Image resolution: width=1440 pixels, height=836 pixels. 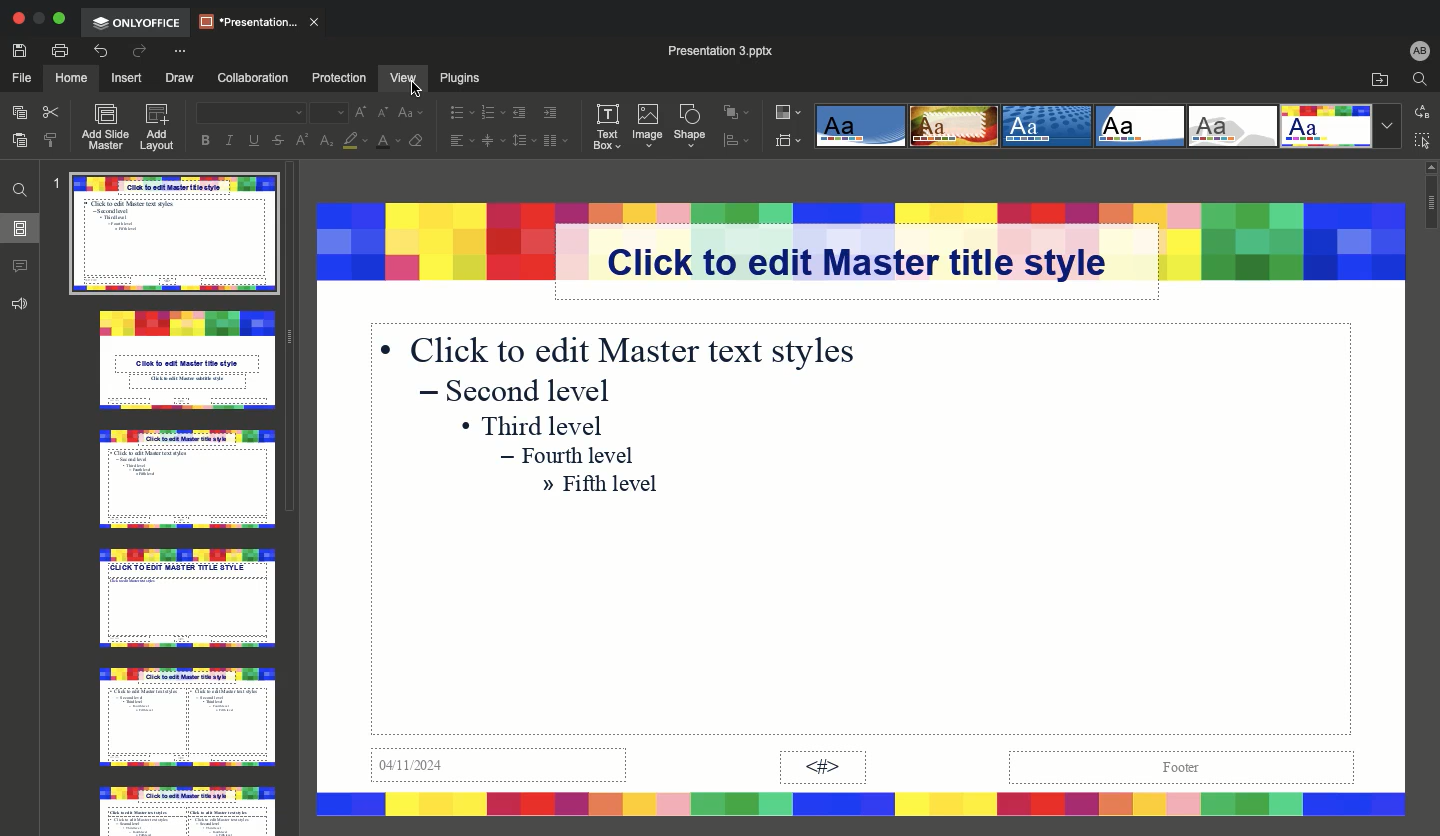 What do you see at coordinates (557, 142) in the screenshot?
I see `Column` at bounding box center [557, 142].